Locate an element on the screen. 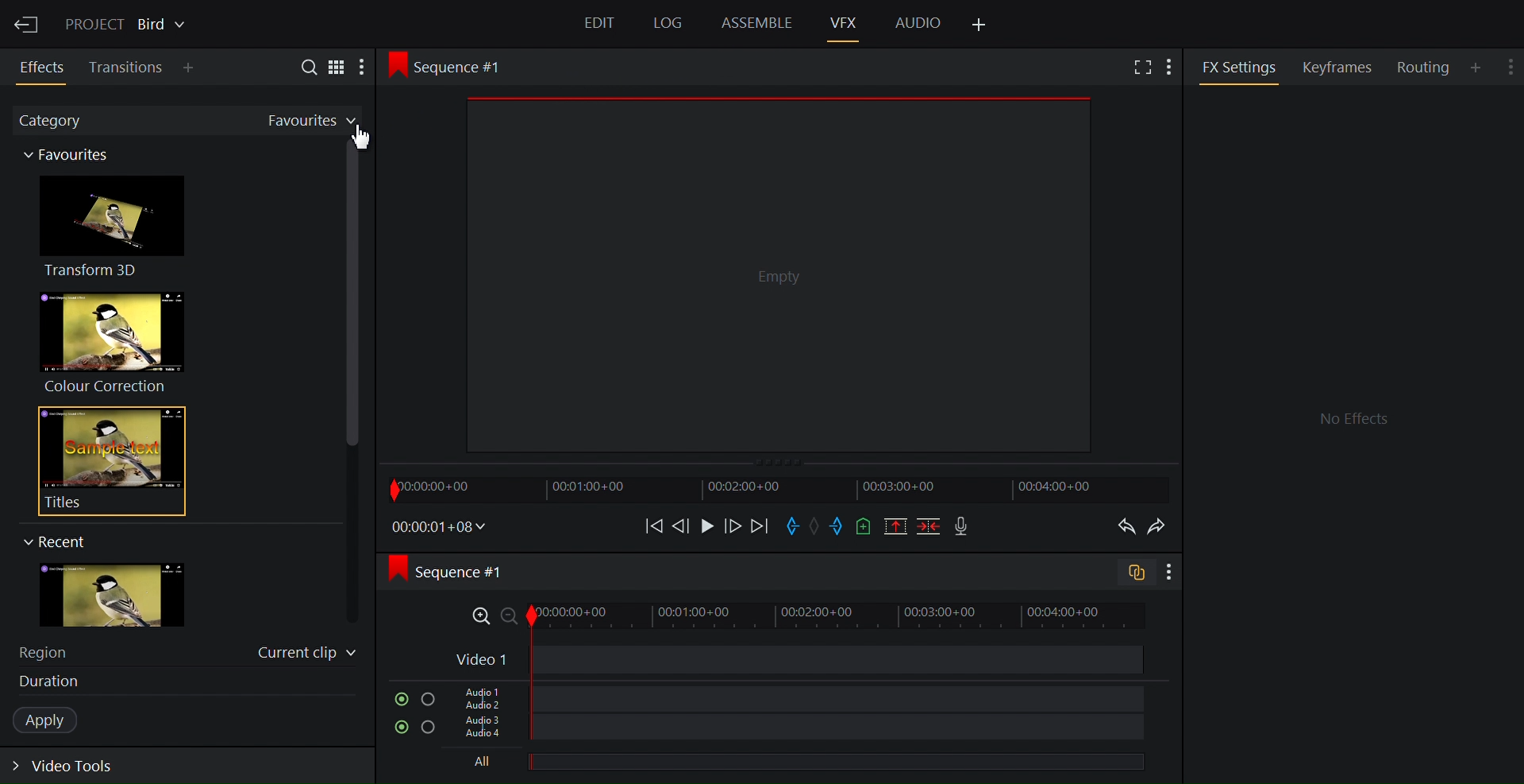  Mark out is located at coordinates (837, 527).